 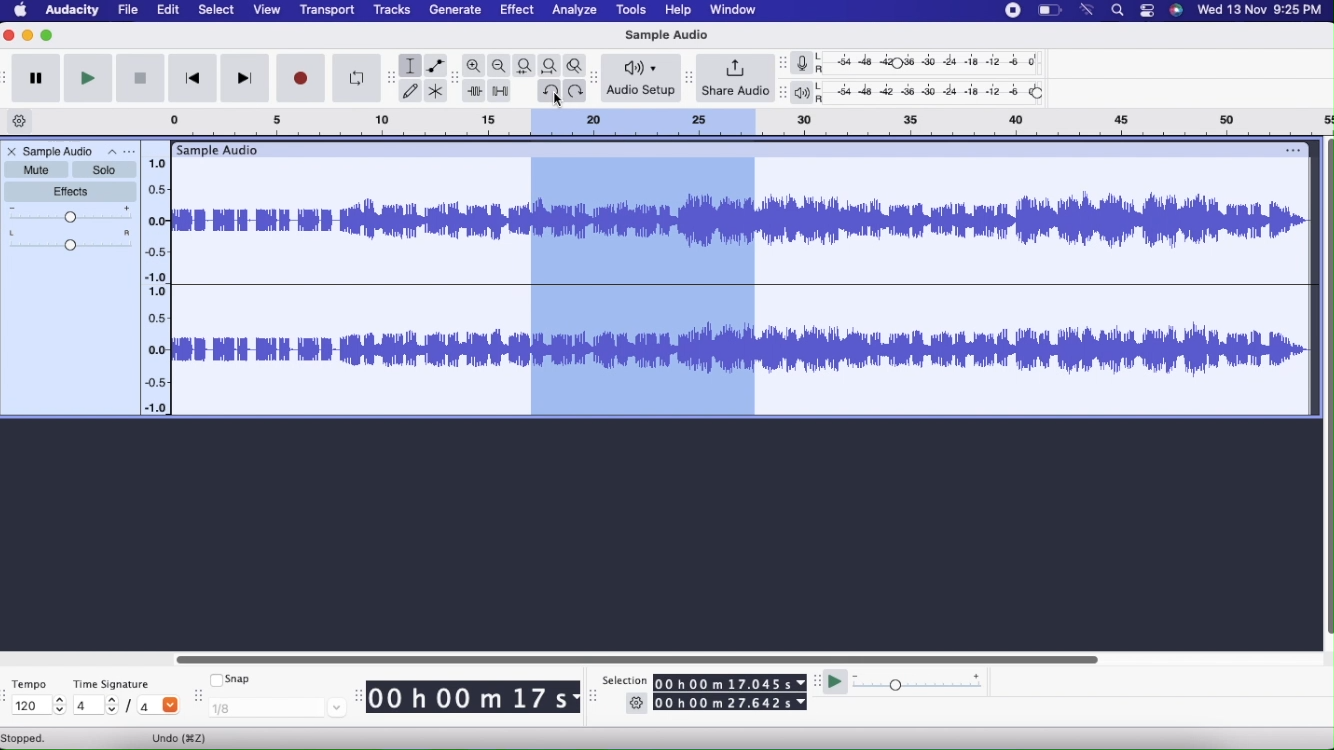 What do you see at coordinates (356, 694) in the screenshot?
I see `move toolbar` at bounding box center [356, 694].